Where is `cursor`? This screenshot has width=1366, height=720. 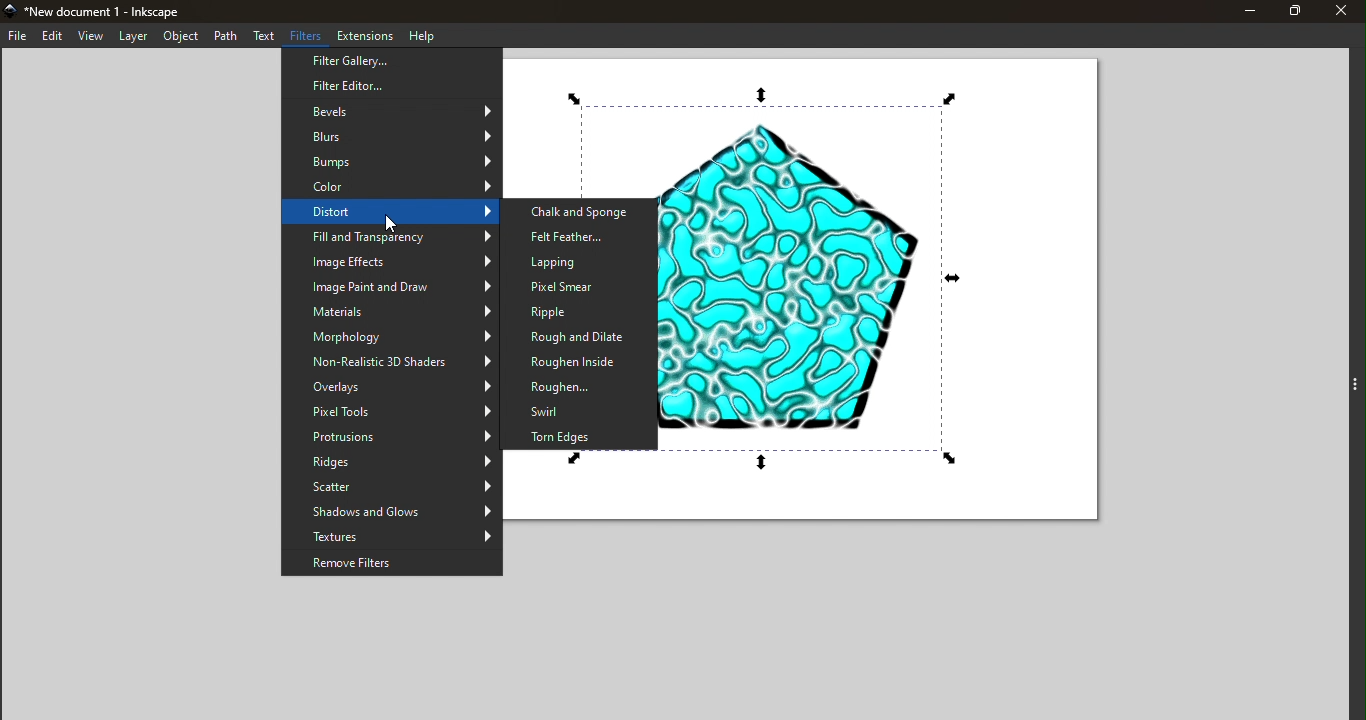
cursor is located at coordinates (393, 224).